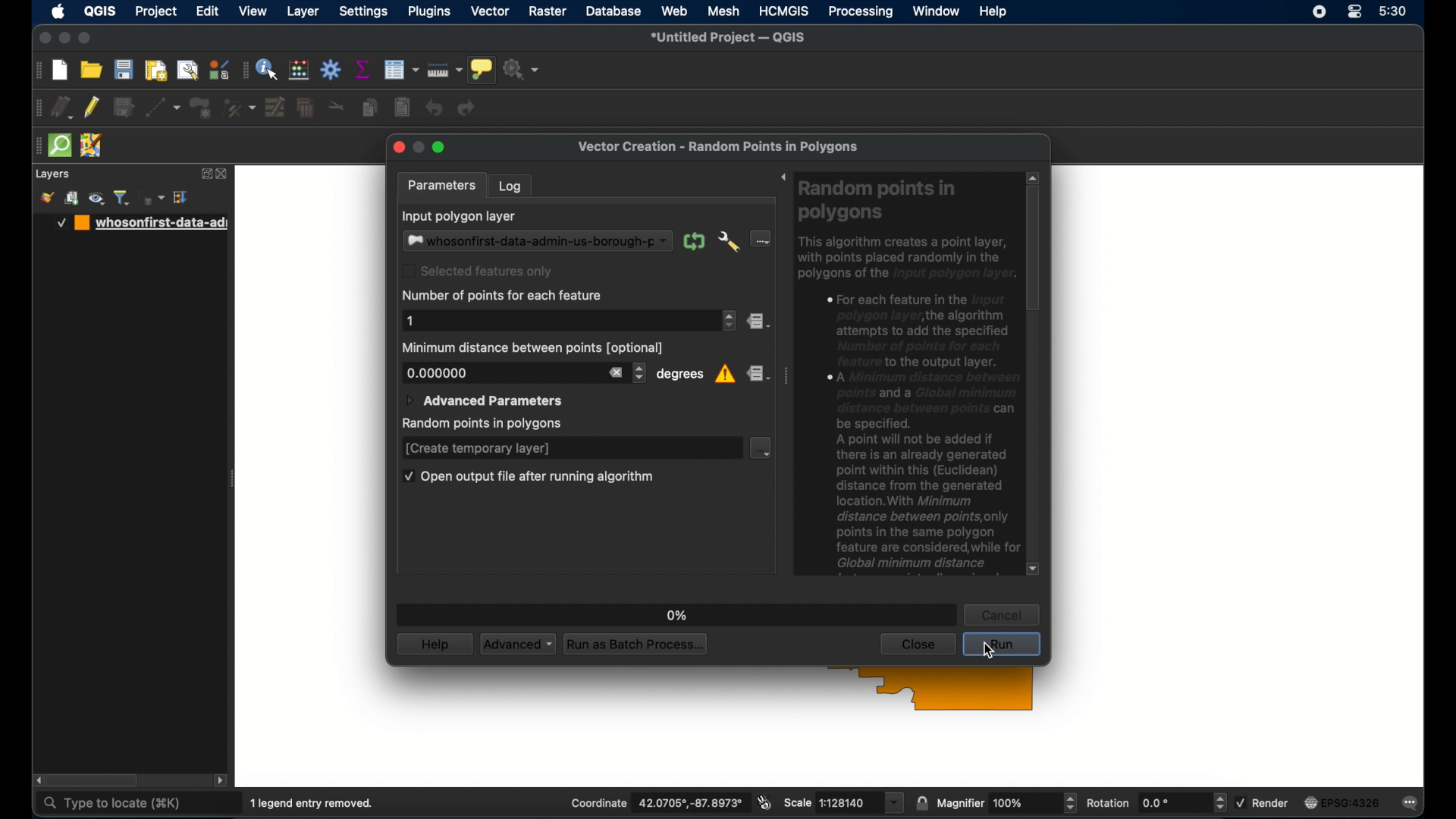 Image resolution: width=1456 pixels, height=819 pixels. Describe the element at coordinates (52, 174) in the screenshot. I see `layers` at that location.